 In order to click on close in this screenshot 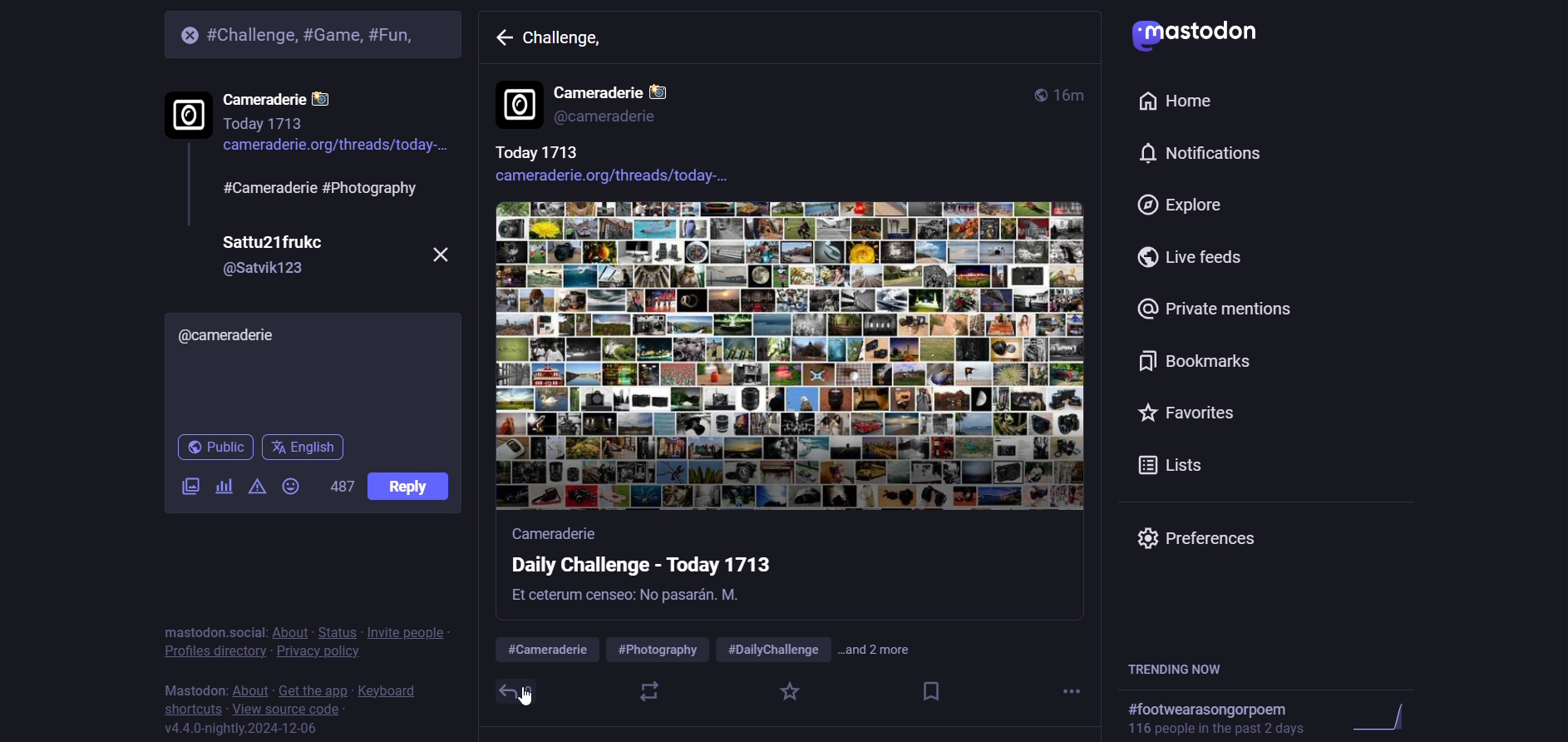, I will do `click(443, 253)`.